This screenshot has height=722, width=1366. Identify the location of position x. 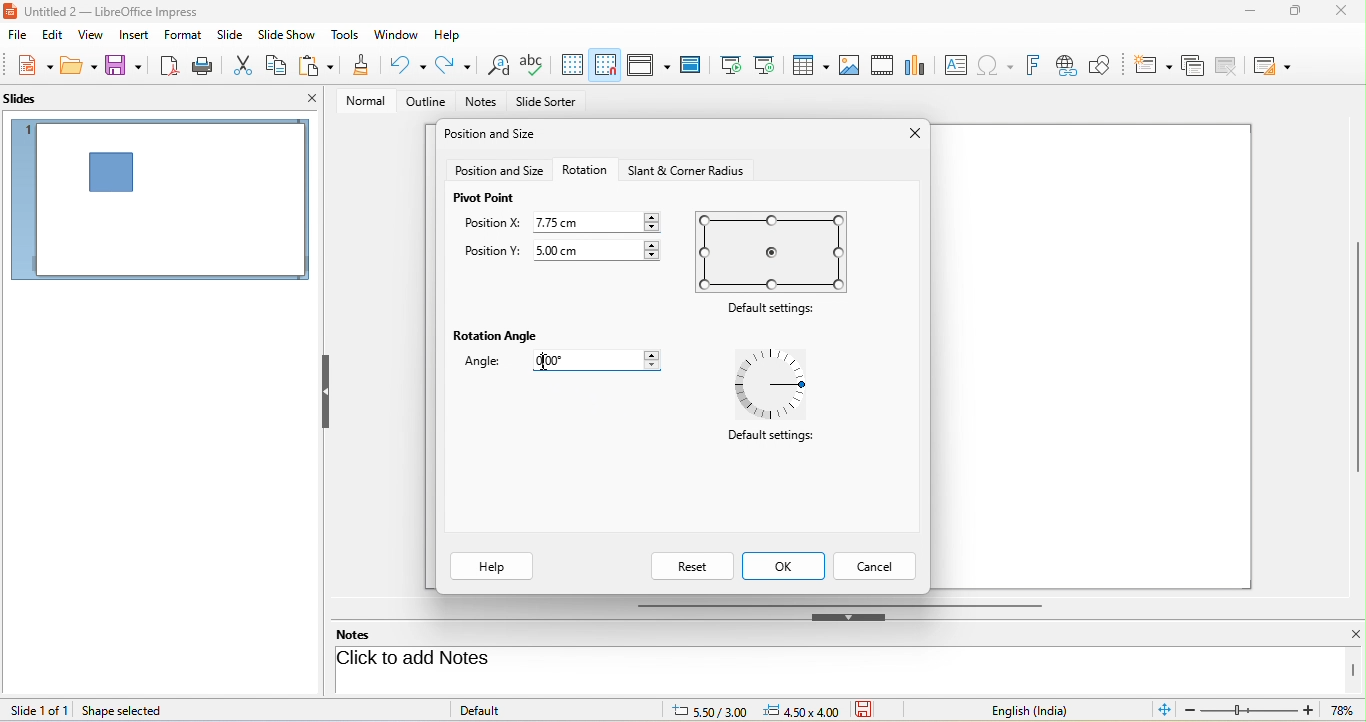
(492, 225).